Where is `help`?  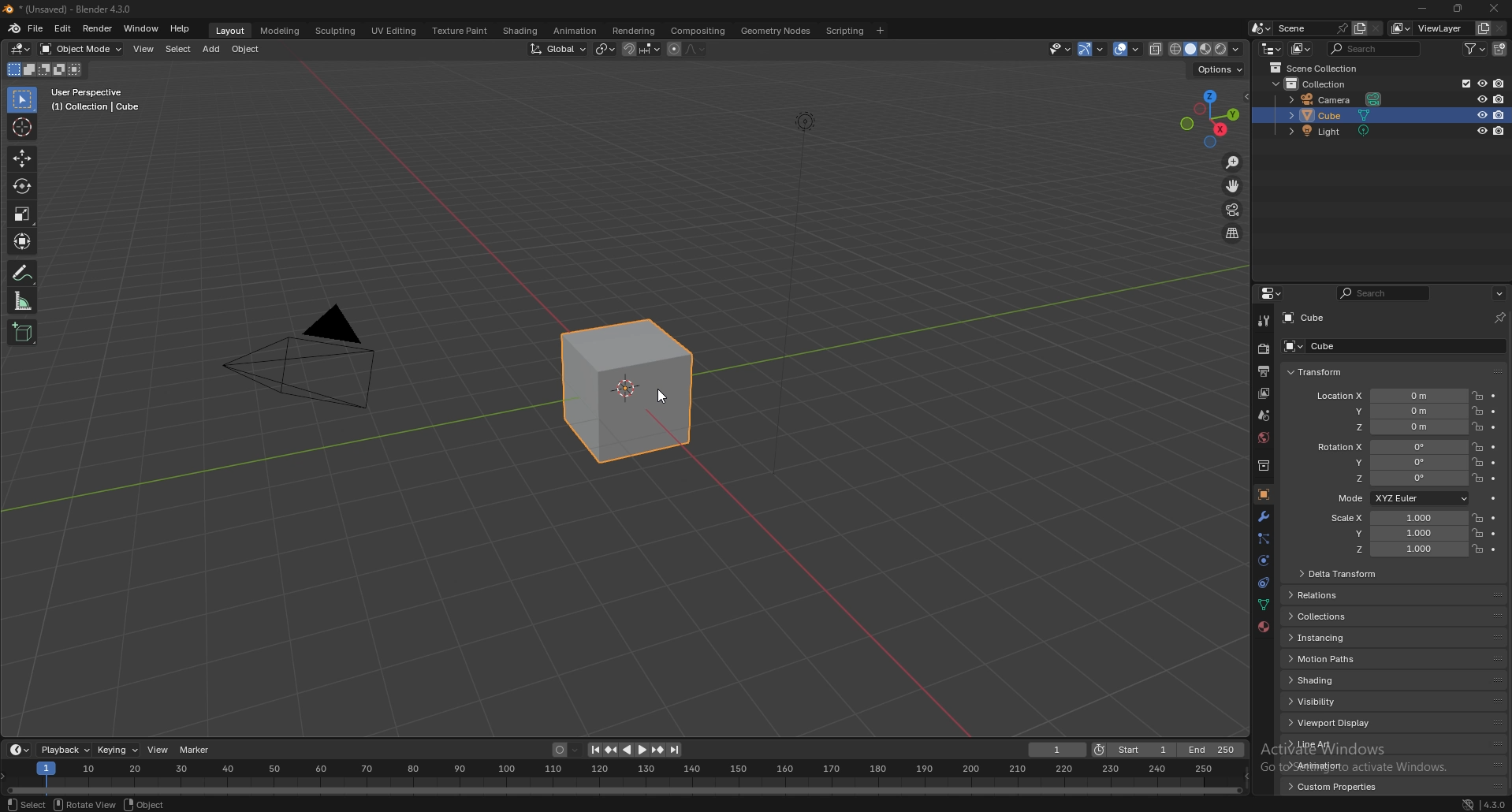
help is located at coordinates (181, 28).